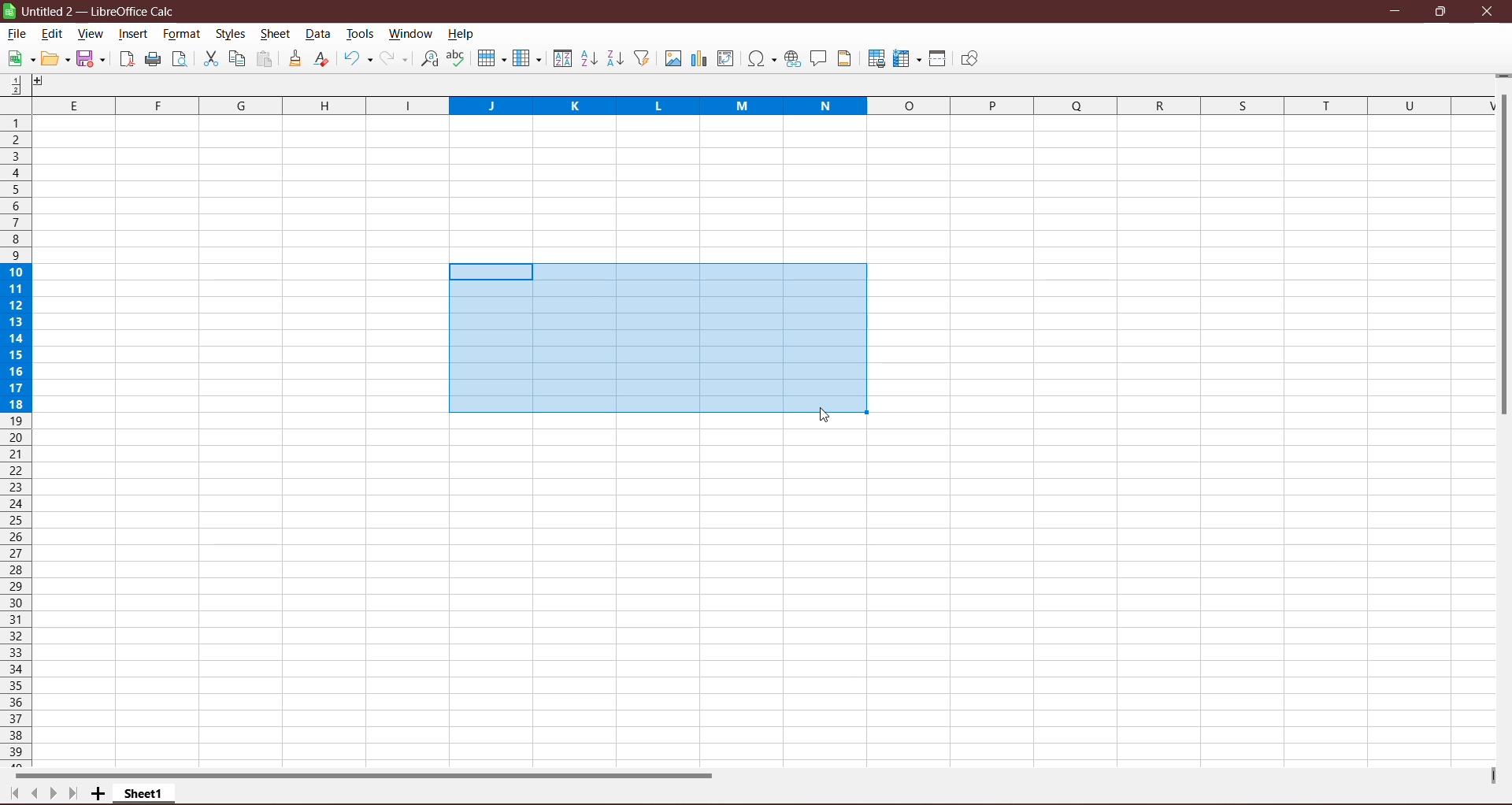 The height and width of the screenshot is (805, 1512). Describe the element at coordinates (153, 60) in the screenshot. I see `Print` at that location.